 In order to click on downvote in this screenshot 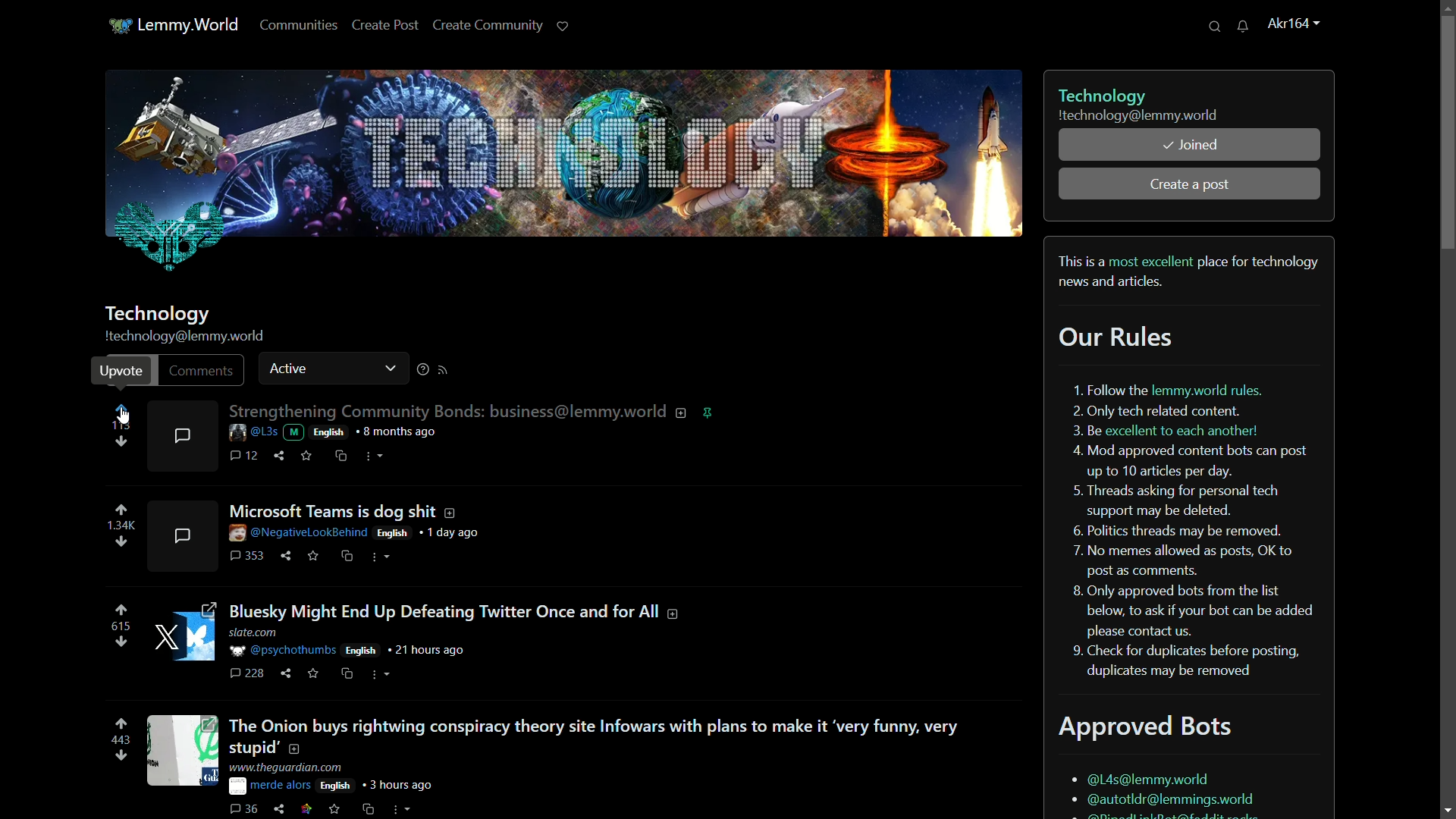, I will do `click(121, 642)`.